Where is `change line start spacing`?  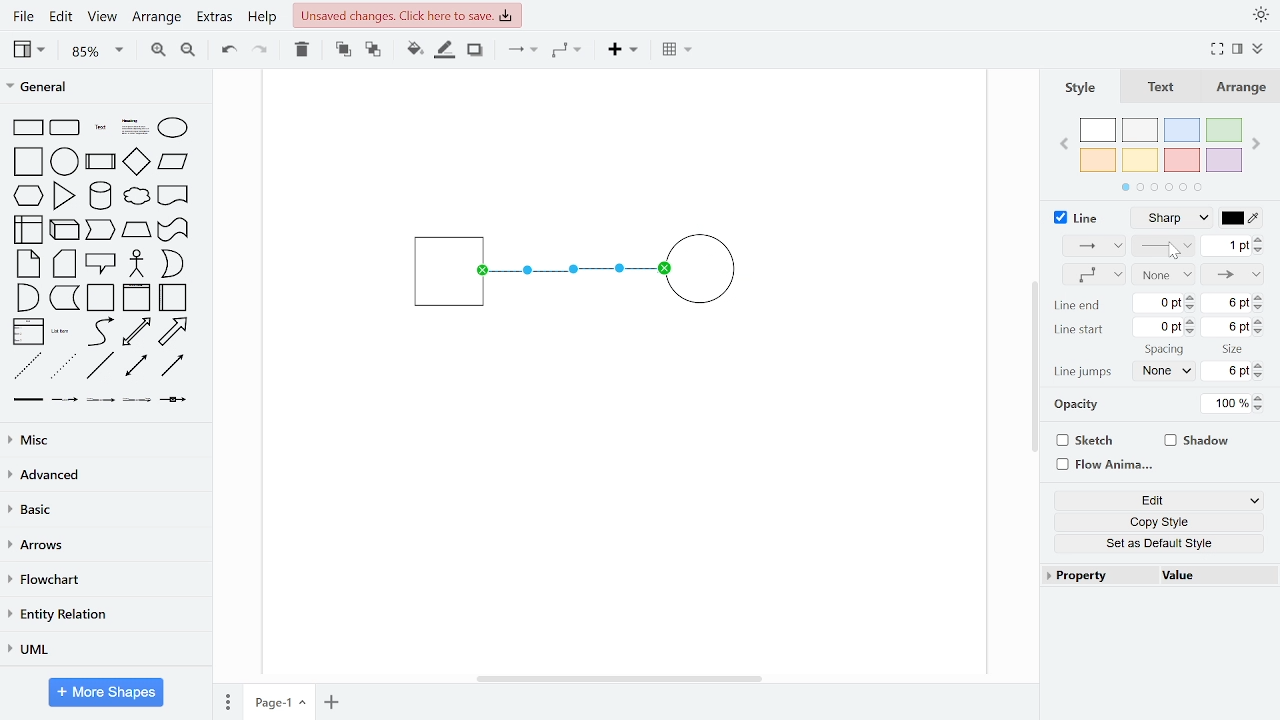
change line start spacing is located at coordinates (1166, 326).